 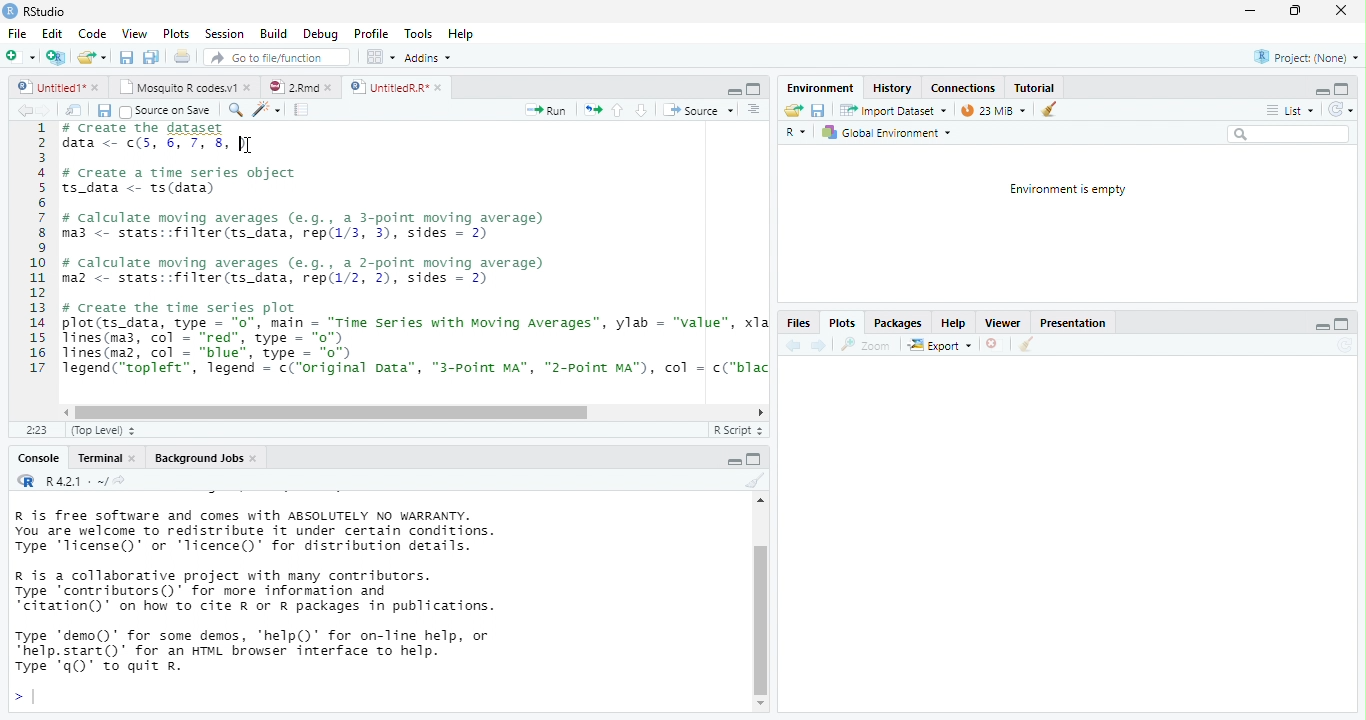 I want to click on view the current working directory, so click(x=120, y=480).